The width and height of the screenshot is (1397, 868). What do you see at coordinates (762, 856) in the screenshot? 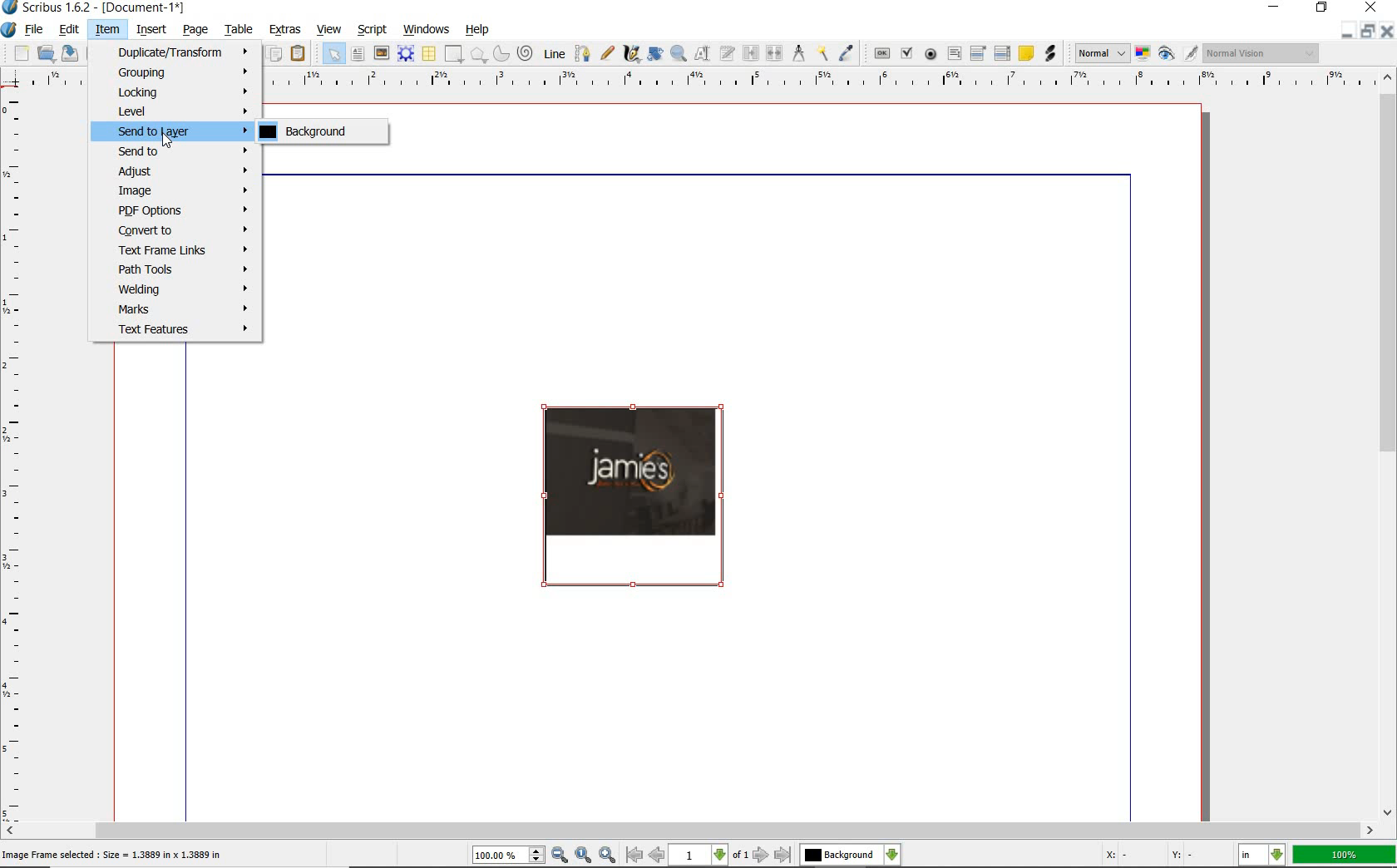
I see `Next Page` at bounding box center [762, 856].